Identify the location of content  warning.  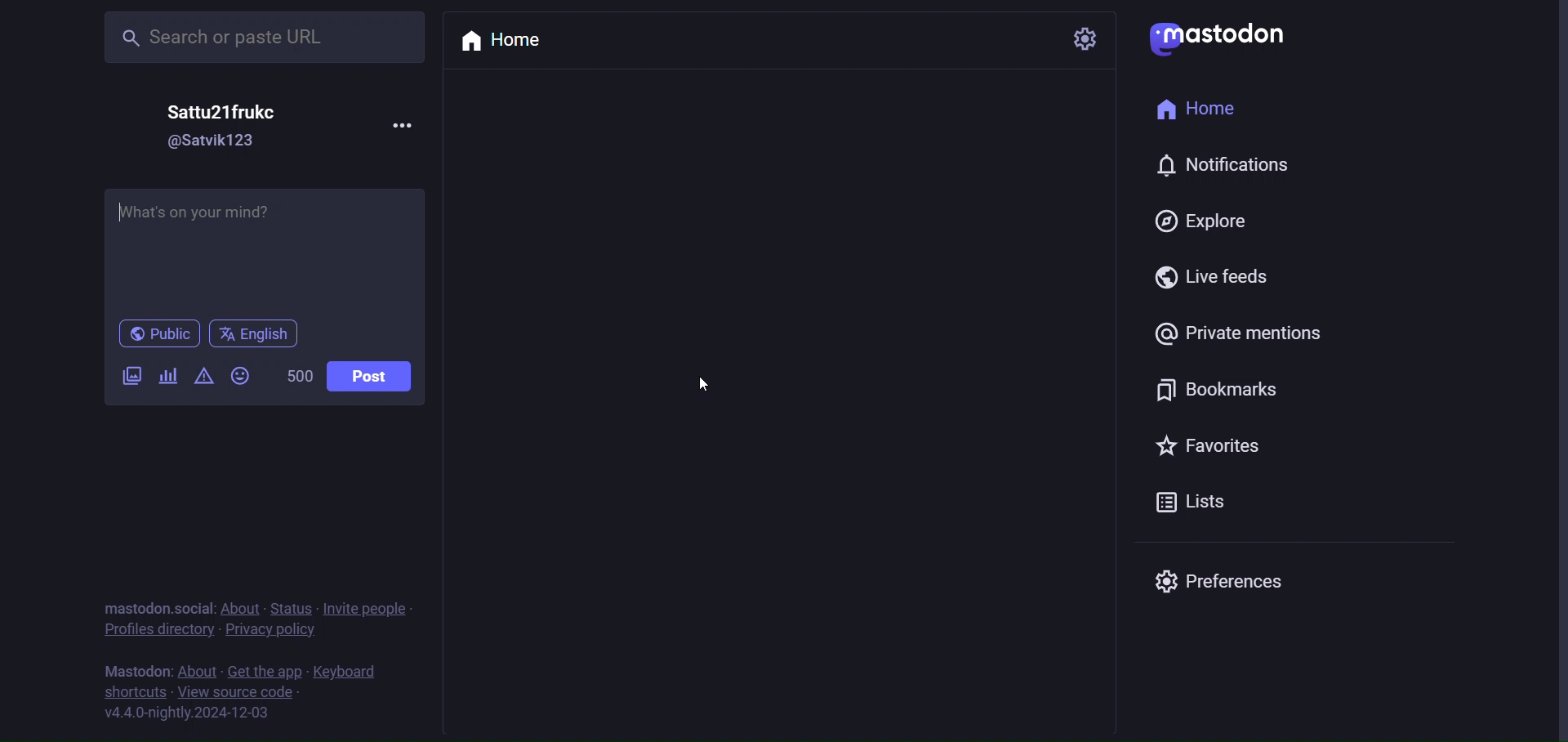
(203, 378).